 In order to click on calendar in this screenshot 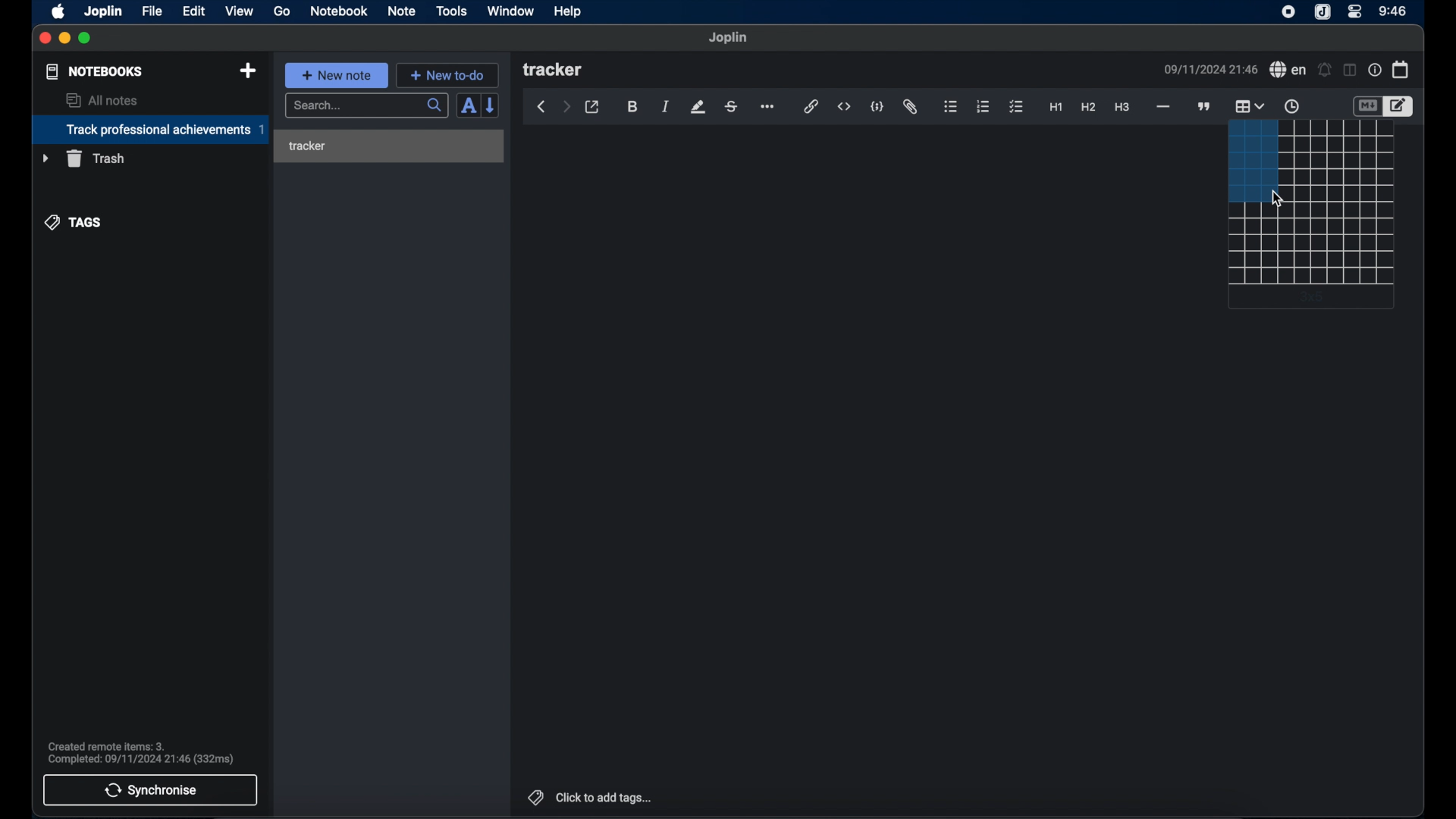, I will do `click(1401, 69)`.